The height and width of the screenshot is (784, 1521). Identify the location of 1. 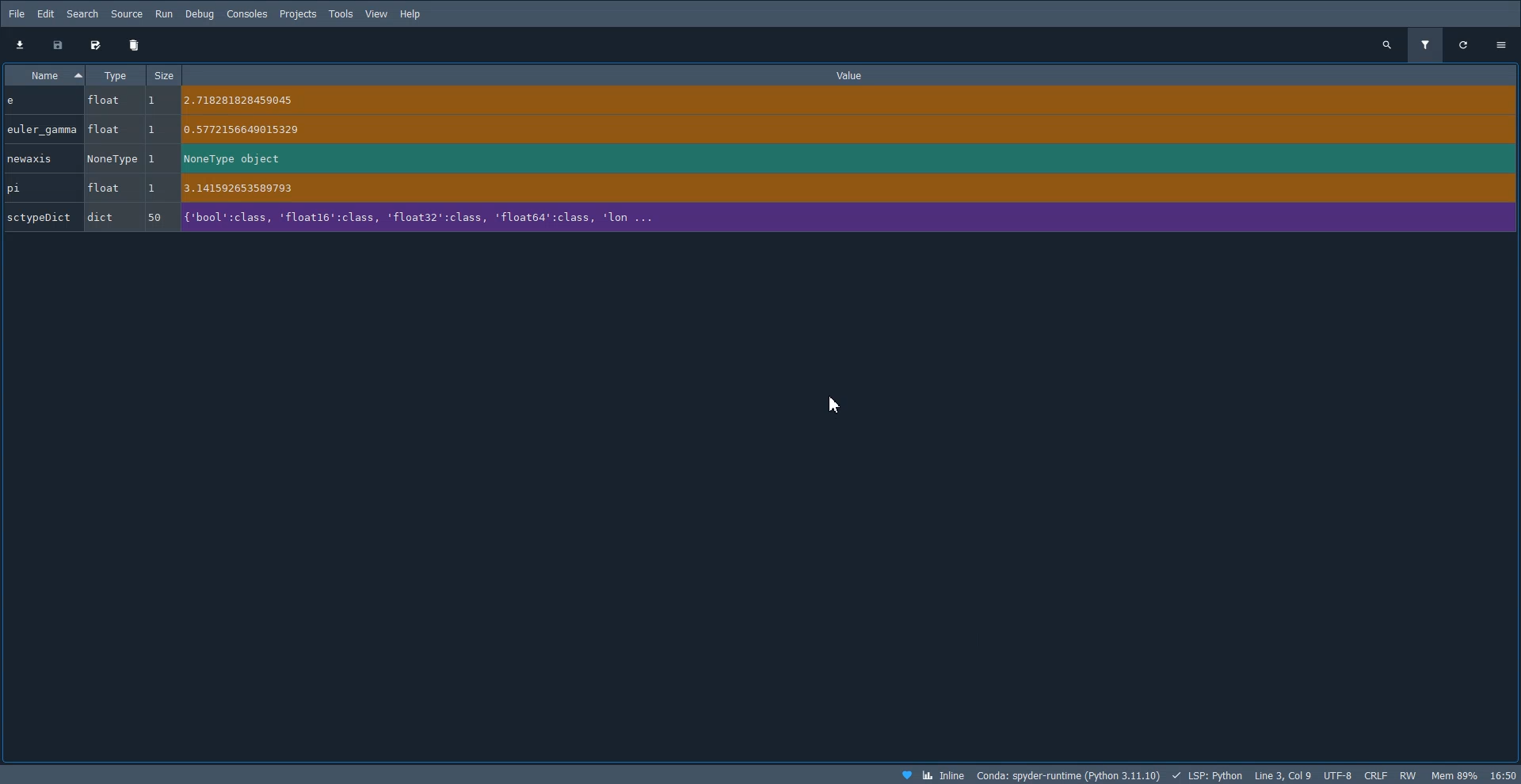
(151, 100).